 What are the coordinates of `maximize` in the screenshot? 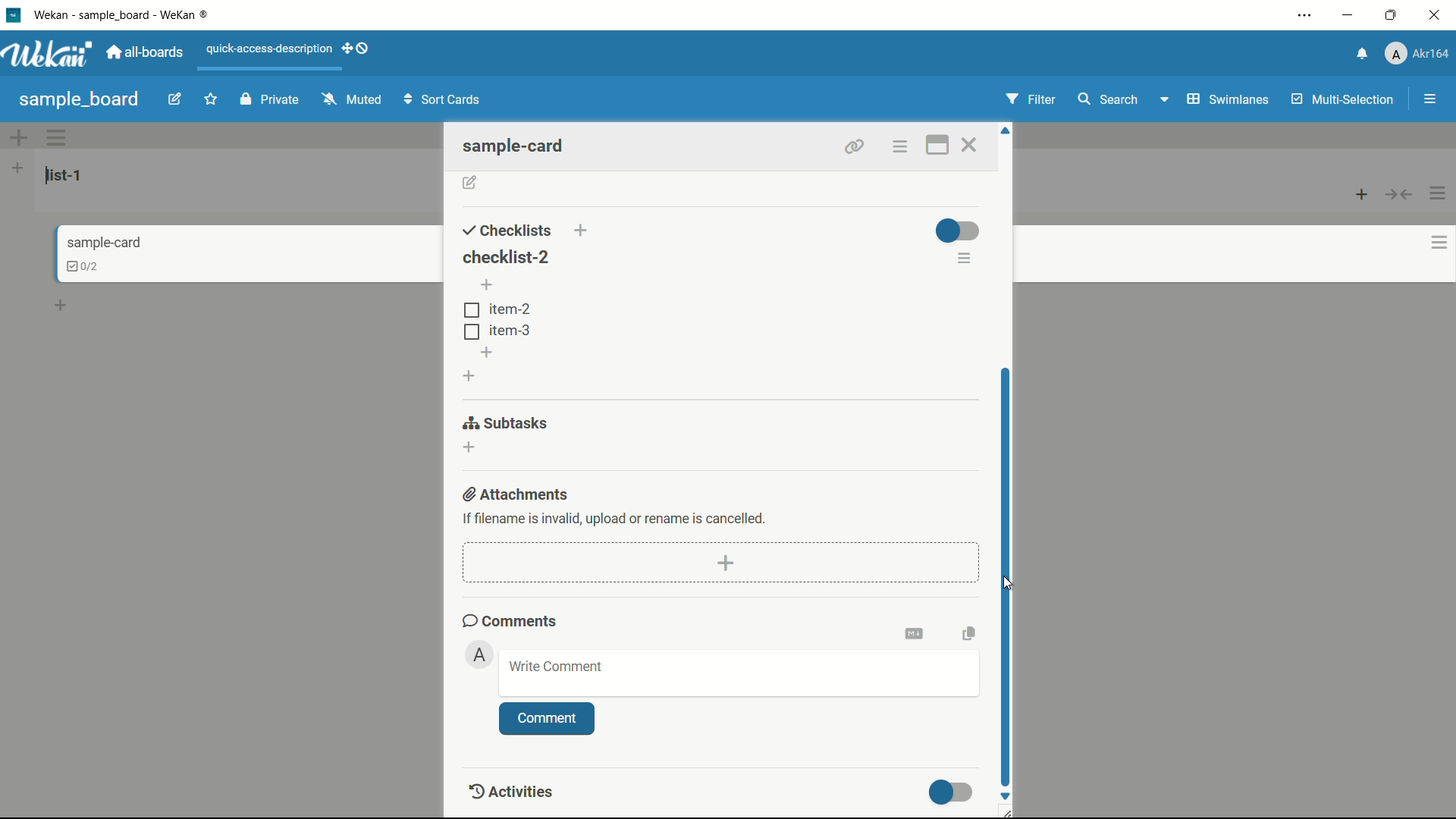 It's located at (1392, 14).